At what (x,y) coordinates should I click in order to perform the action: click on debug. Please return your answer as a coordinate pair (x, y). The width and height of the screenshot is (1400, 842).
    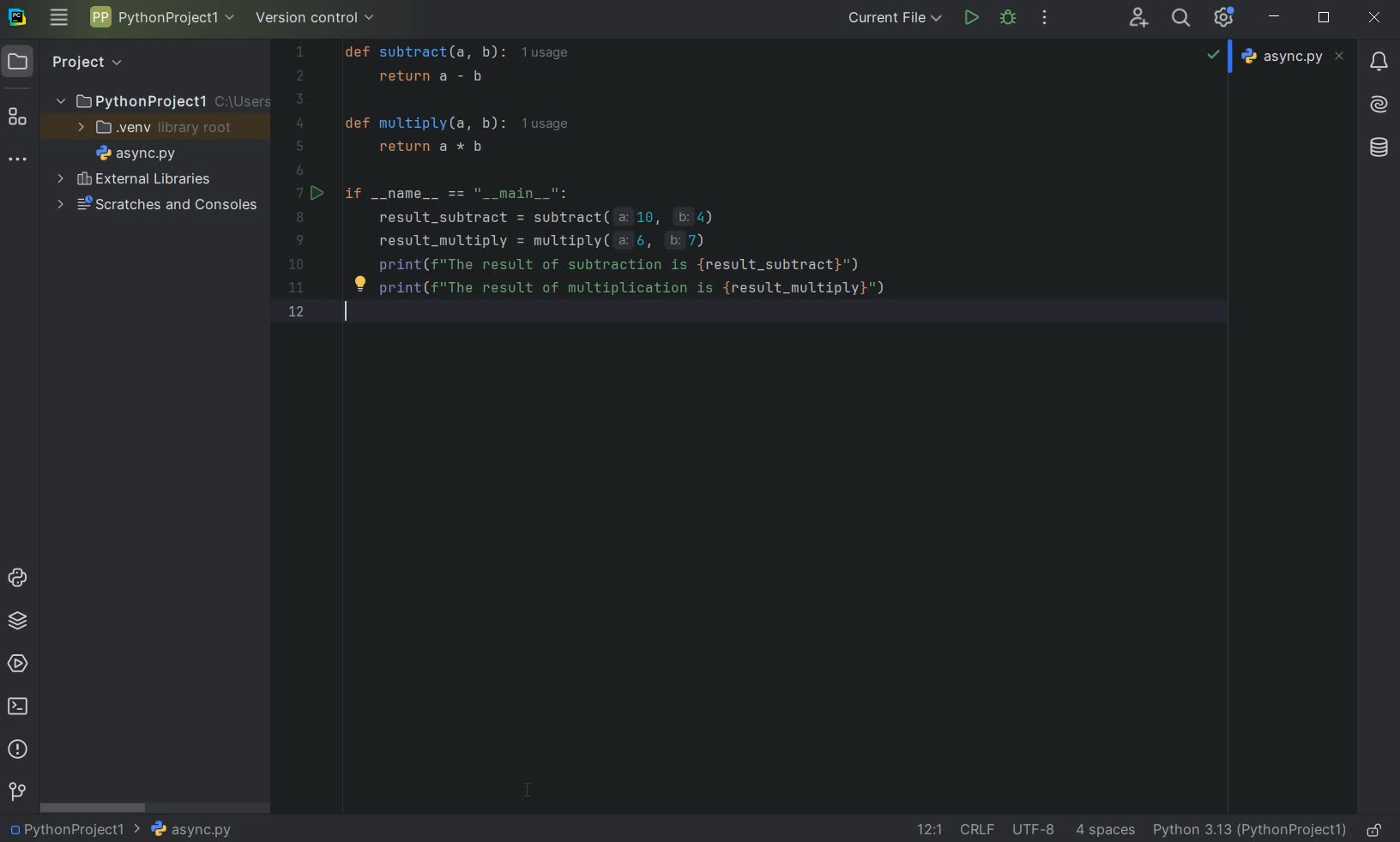
    Looking at the image, I should click on (1009, 16).